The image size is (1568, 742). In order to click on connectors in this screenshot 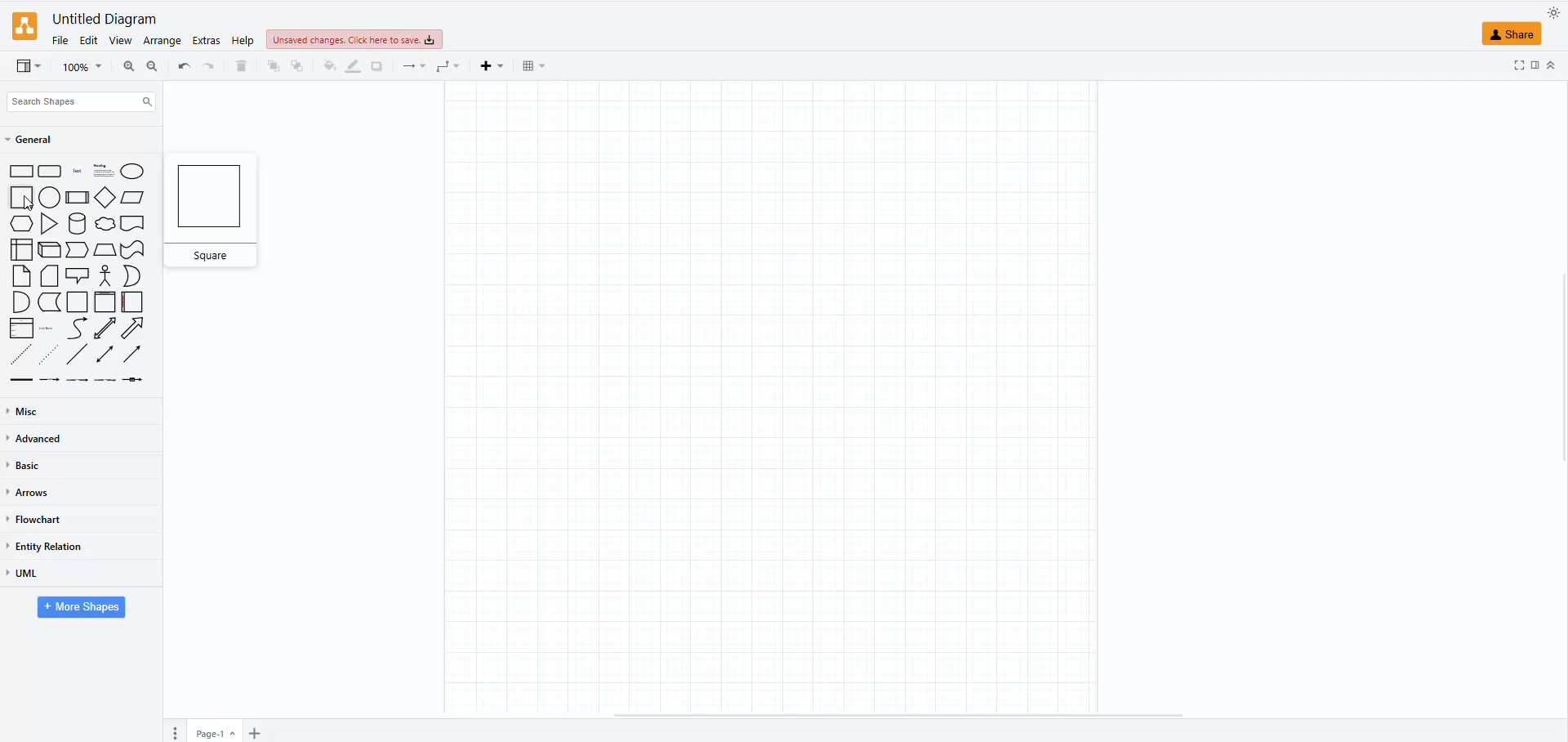, I will do `click(415, 67)`.